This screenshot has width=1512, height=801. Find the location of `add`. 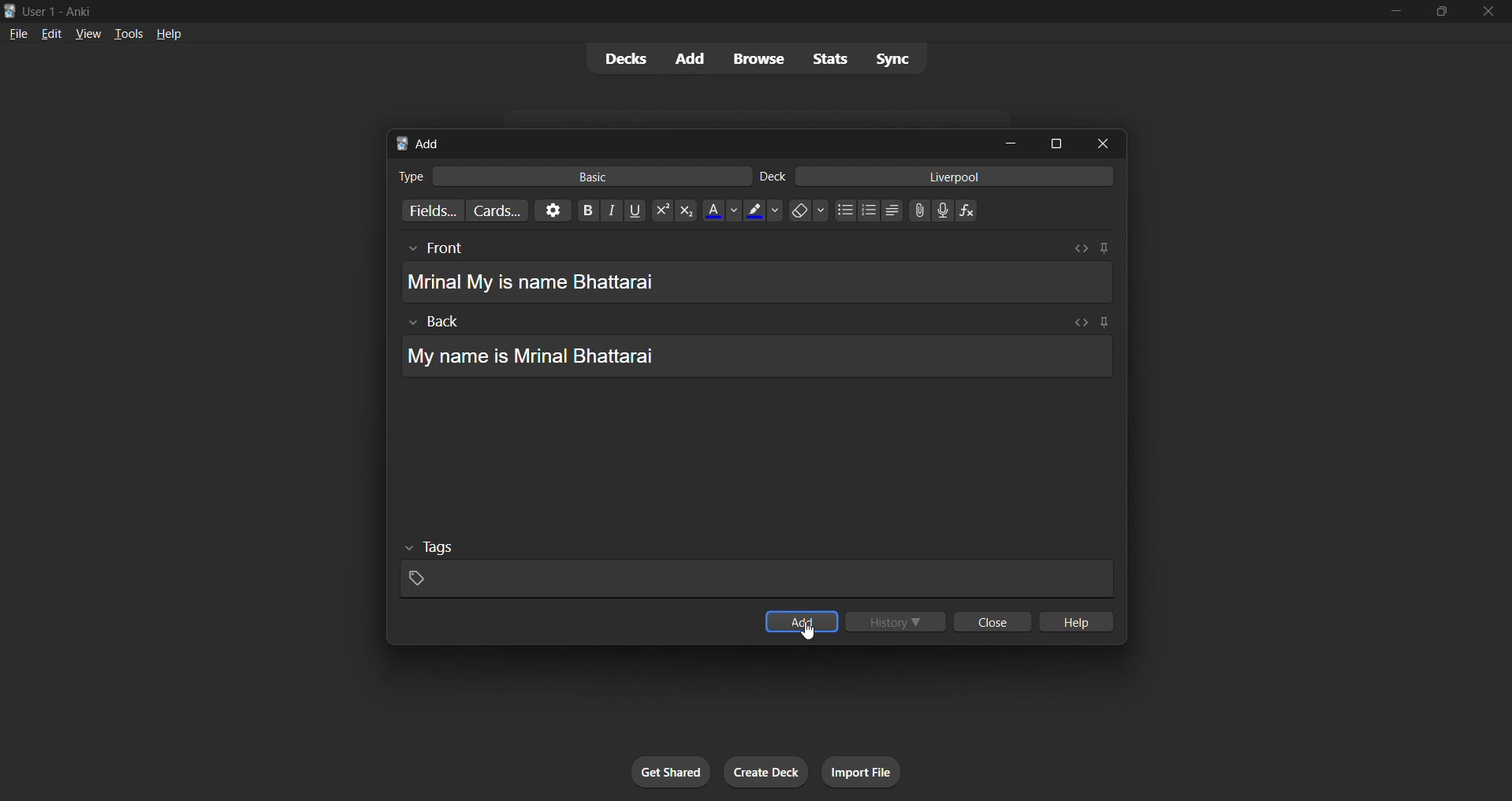

add is located at coordinates (804, 620).